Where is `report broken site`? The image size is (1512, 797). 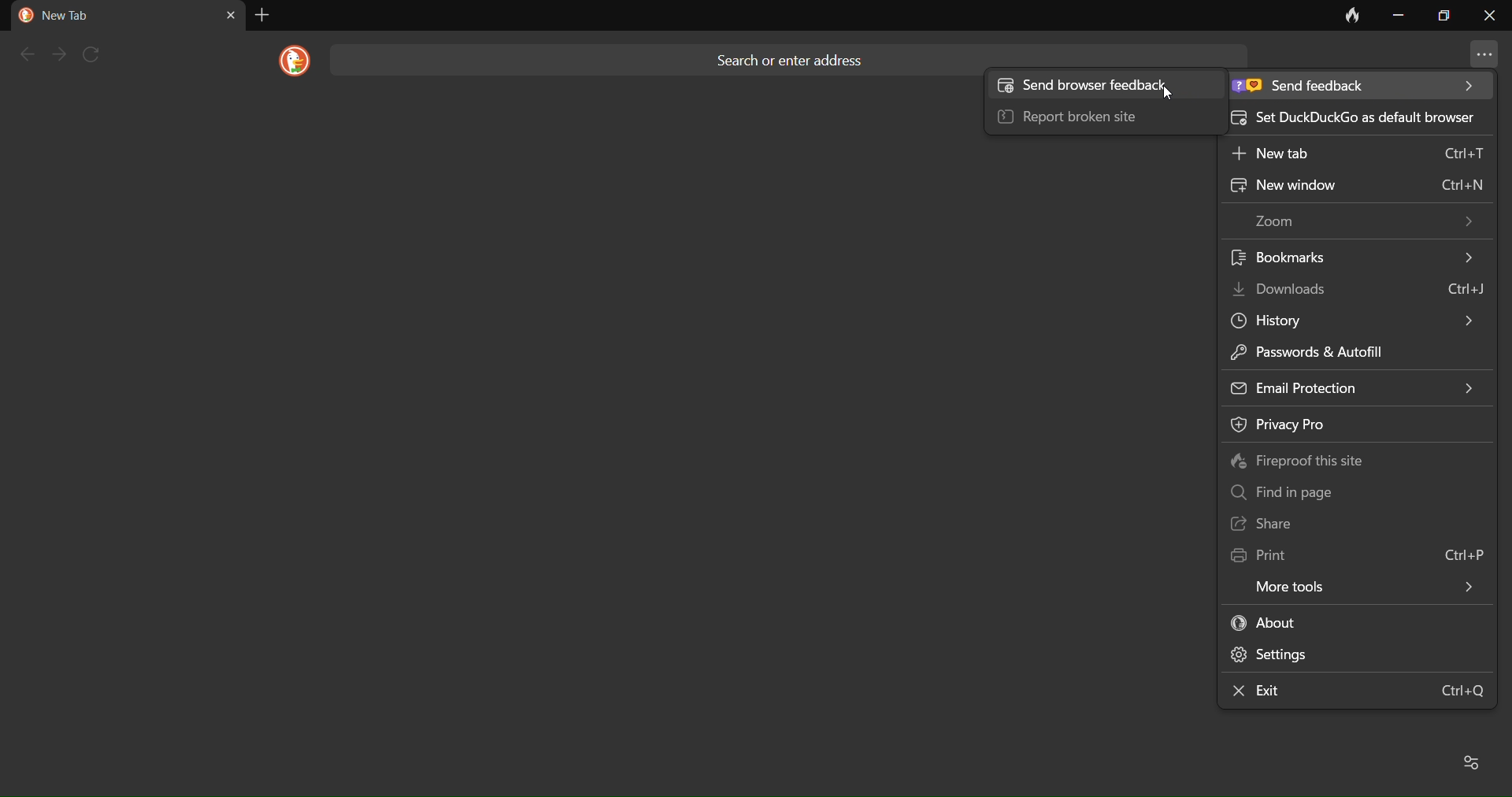
report broken site is located at coordinates (1091, 118).